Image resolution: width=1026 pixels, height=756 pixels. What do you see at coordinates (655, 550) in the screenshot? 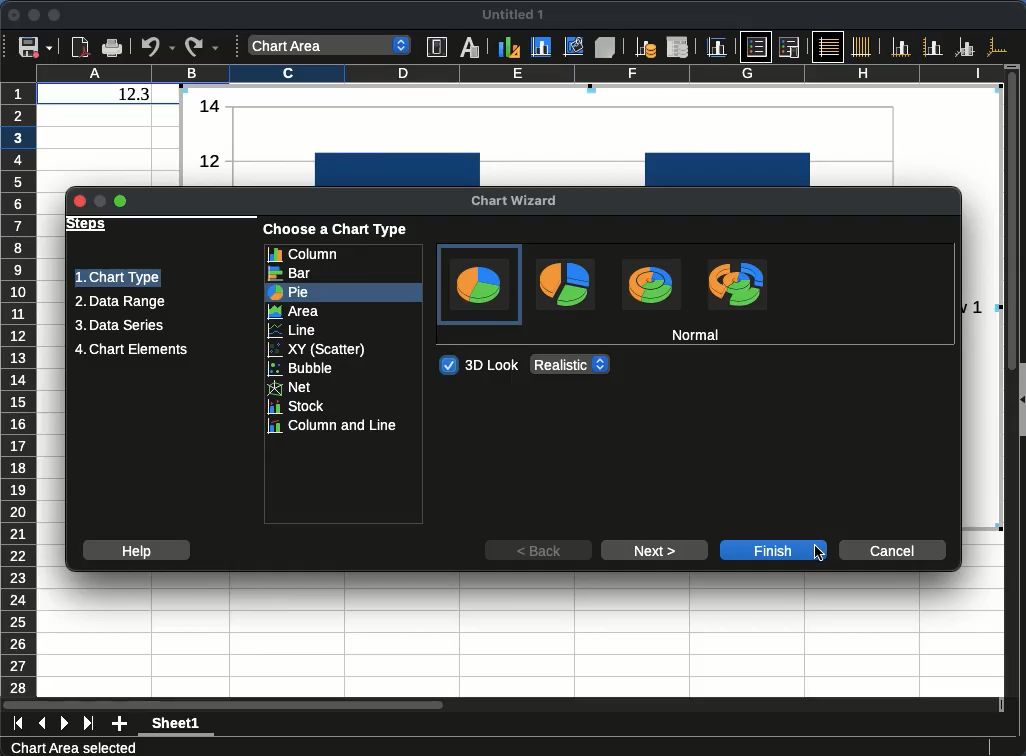
I see `next` at bounding box center [655, 550].